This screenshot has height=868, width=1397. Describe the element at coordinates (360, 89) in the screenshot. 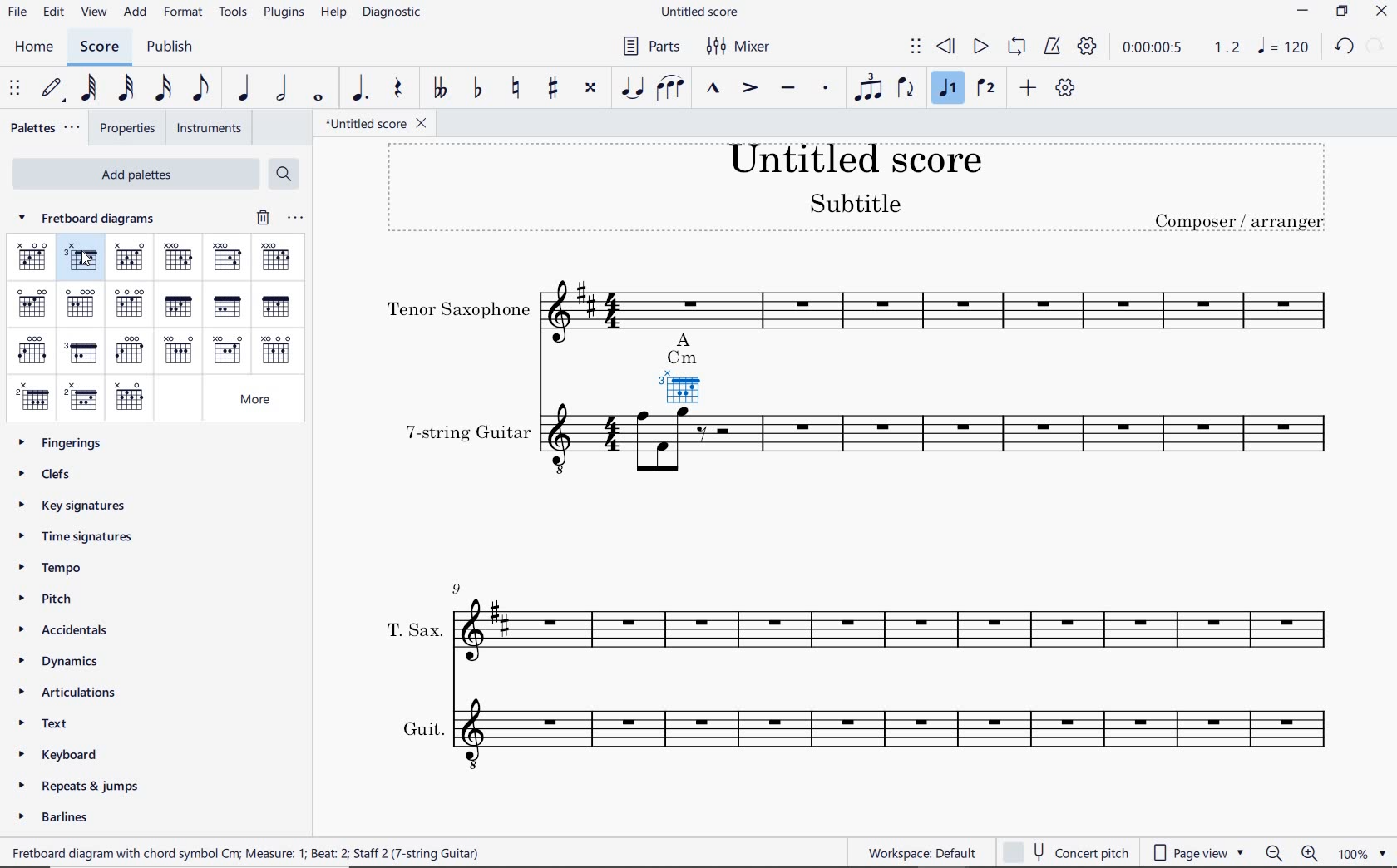

I see `AUGMENTATION DOT` at that location.